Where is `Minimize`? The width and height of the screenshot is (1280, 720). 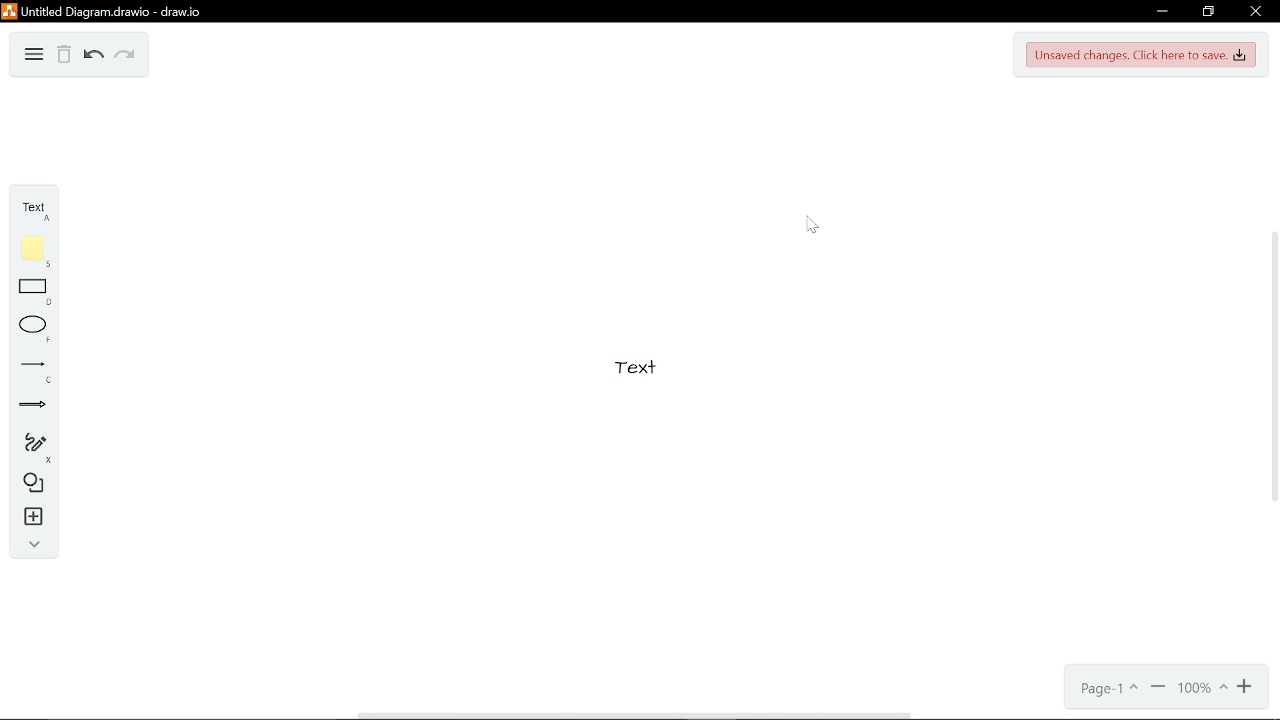 Minimize is located at coordinates (1162, 11).